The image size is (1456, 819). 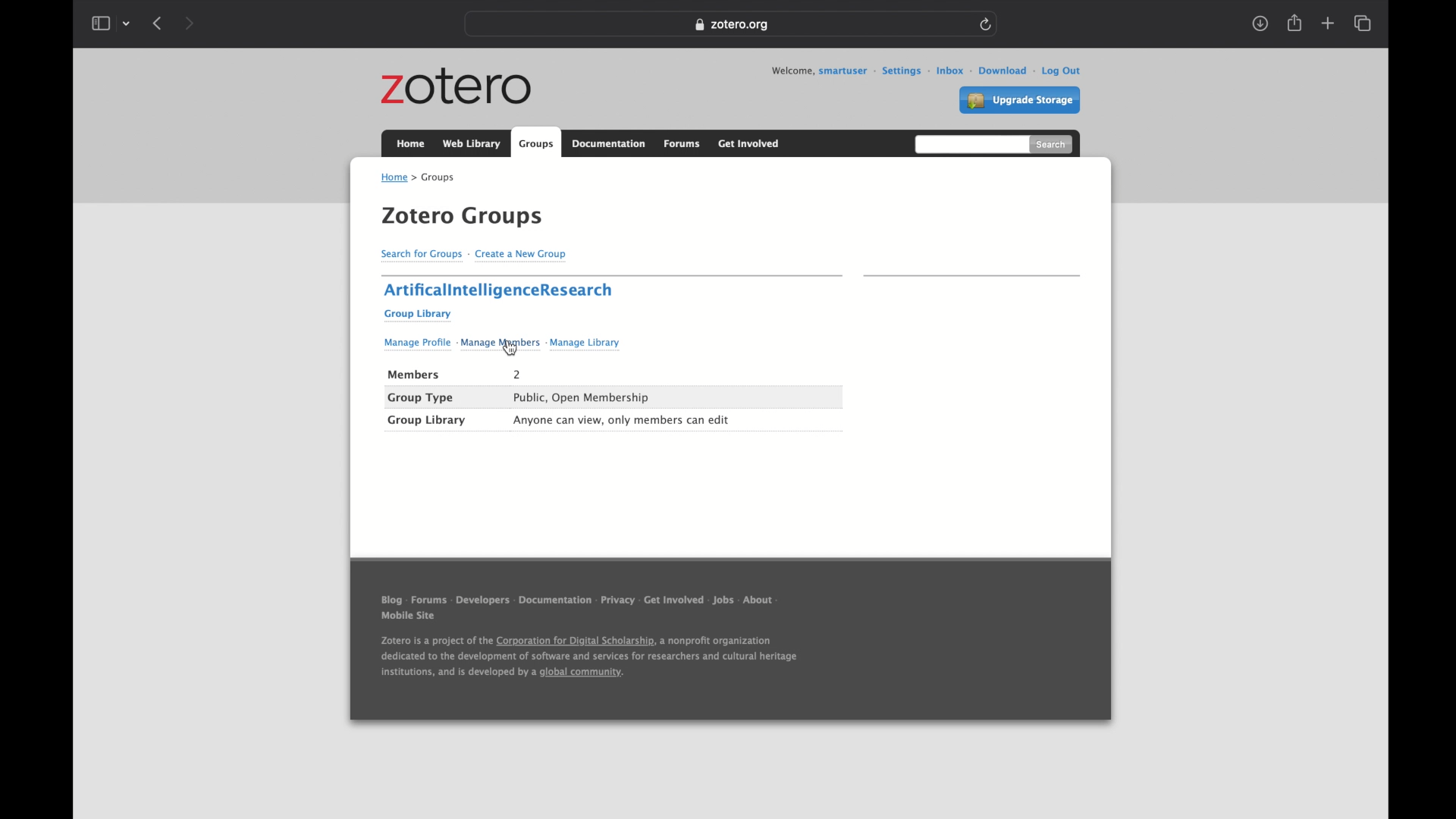 I want to click on forward, so click(x=189, y=24).